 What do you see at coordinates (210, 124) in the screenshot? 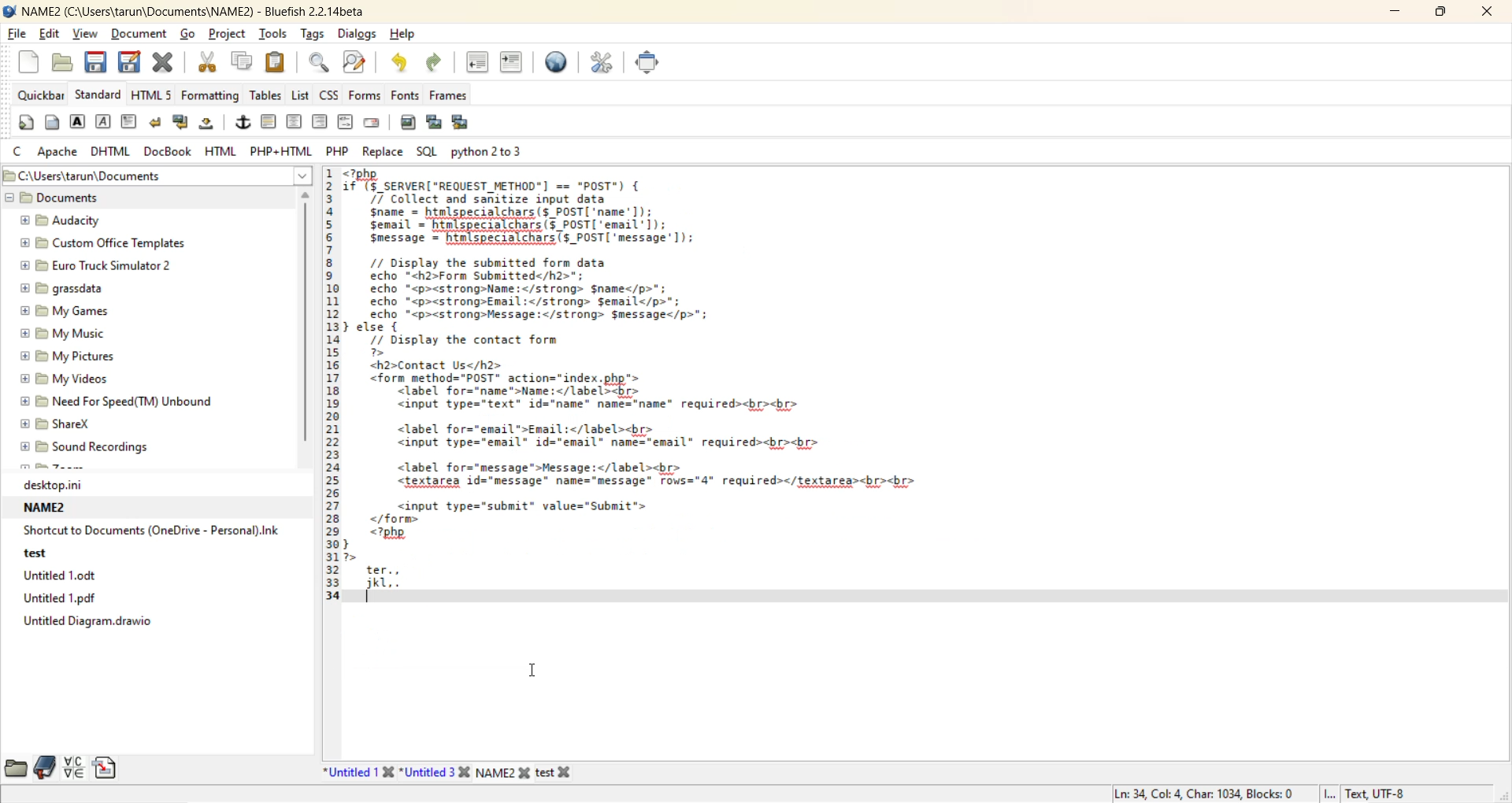
I see `non breaking space` at bounding box center [210, 124].